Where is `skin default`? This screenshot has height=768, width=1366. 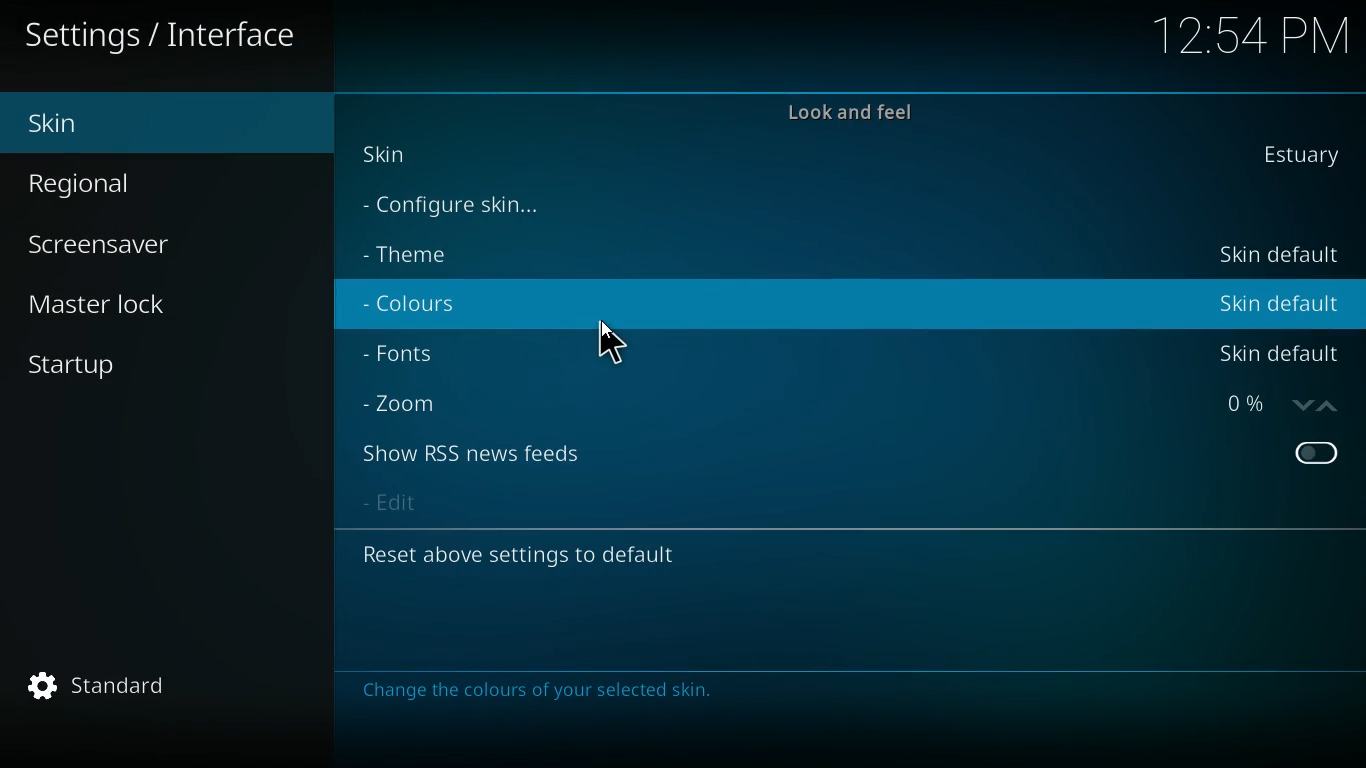
skin default is located at coordinates (1282, 353).